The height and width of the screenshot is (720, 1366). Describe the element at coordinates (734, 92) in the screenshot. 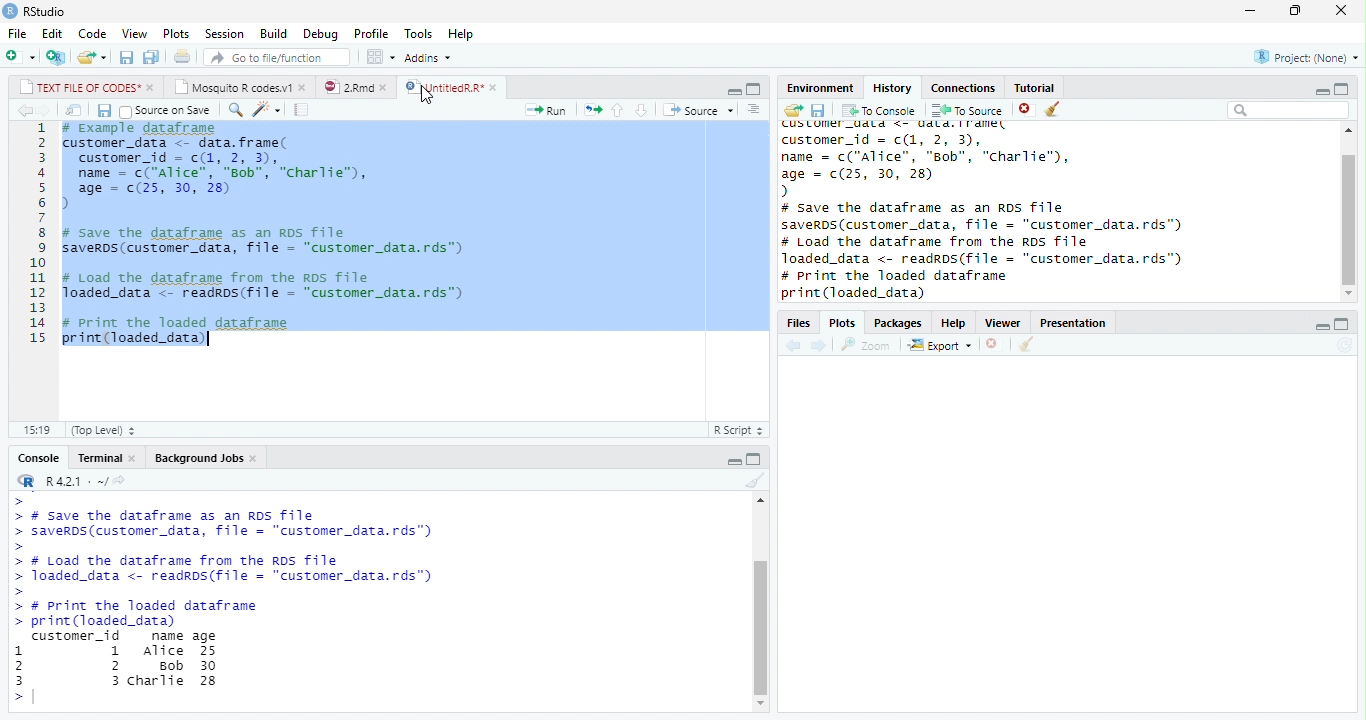

I see `minimize` at that location.